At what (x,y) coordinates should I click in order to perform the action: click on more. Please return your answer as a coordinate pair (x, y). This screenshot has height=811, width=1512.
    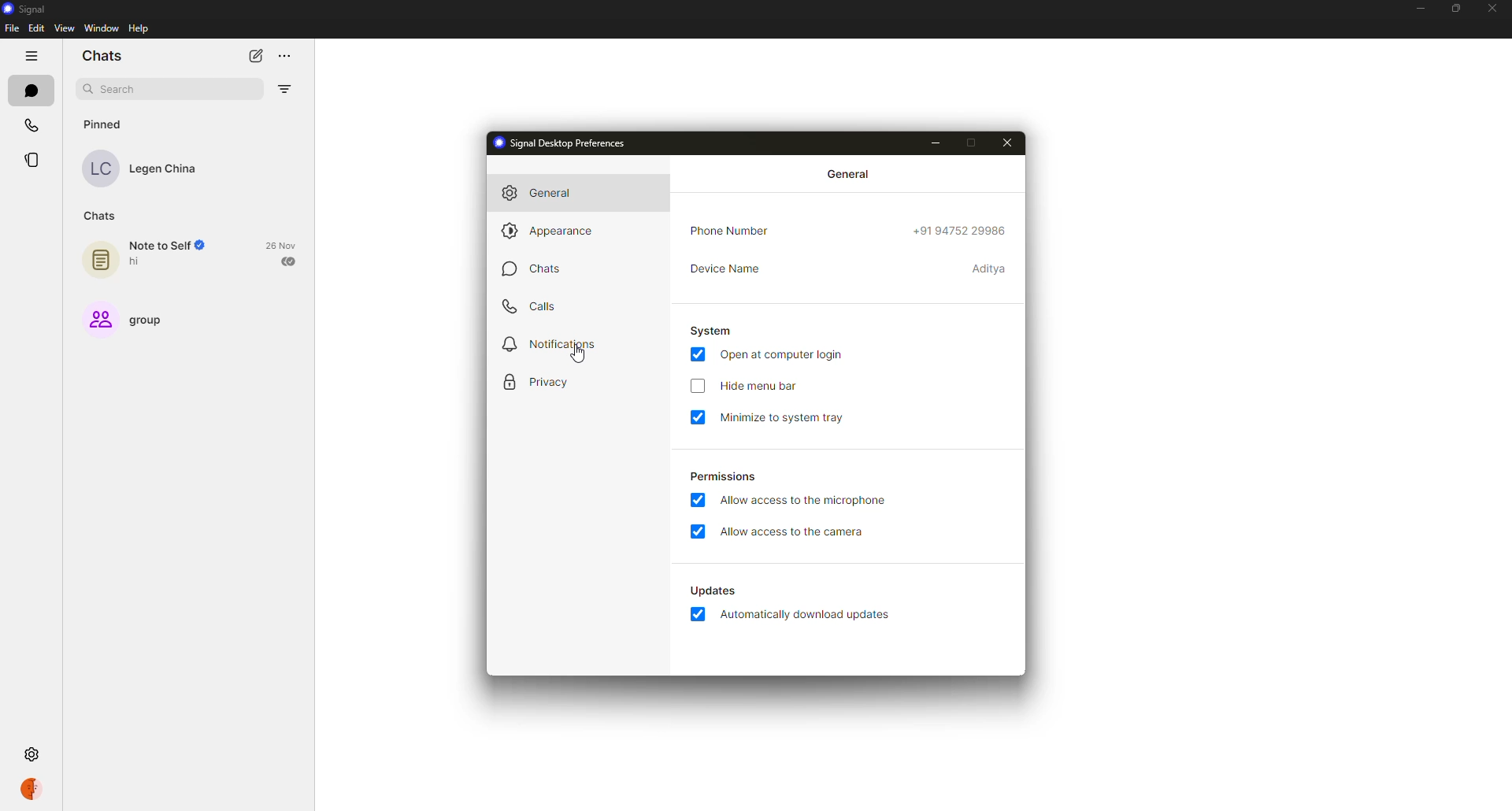
    Looking at the image, I should click on (287, 54).